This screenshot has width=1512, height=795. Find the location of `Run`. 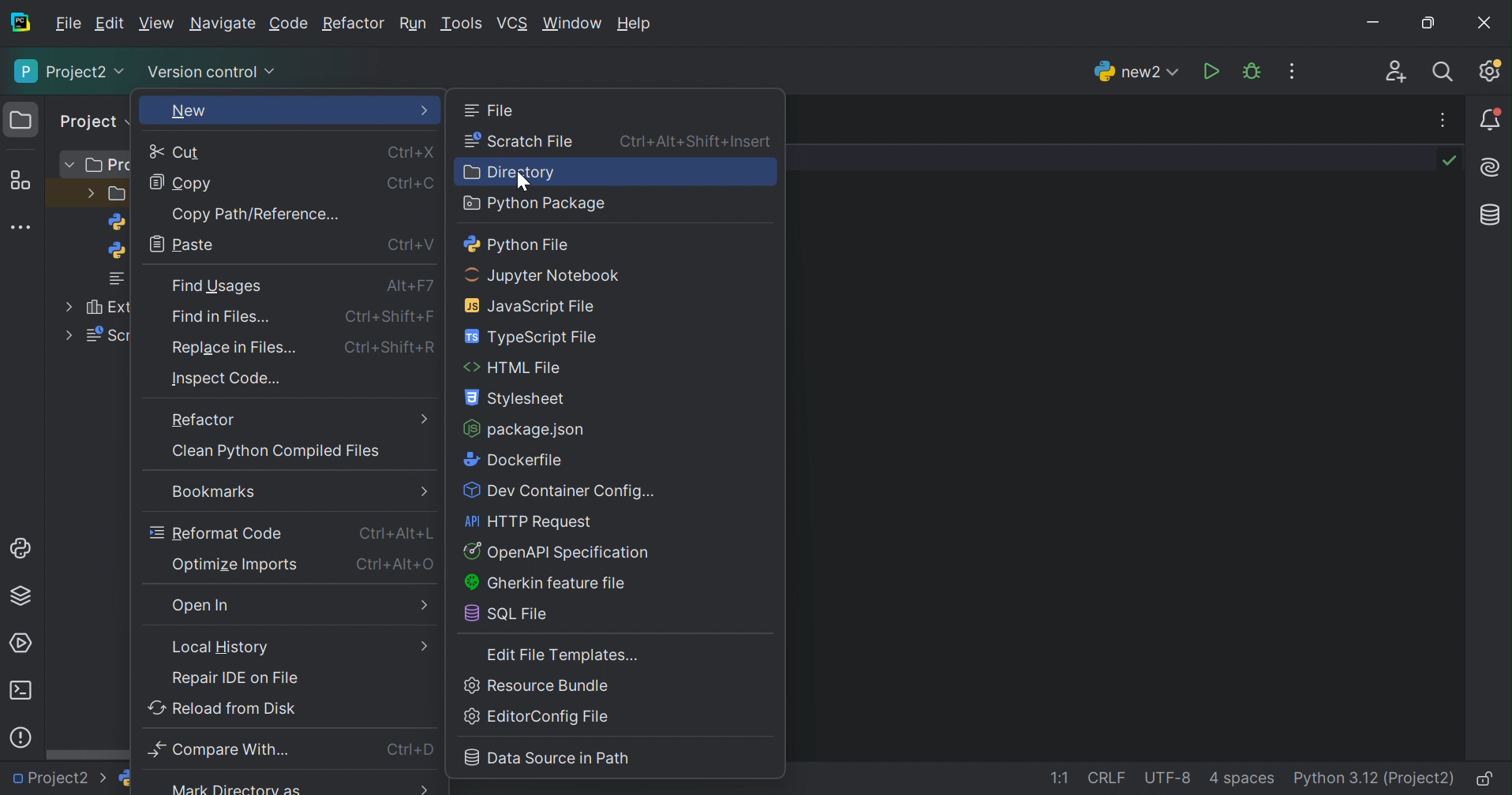

Run is located at coordinates (414, 21).